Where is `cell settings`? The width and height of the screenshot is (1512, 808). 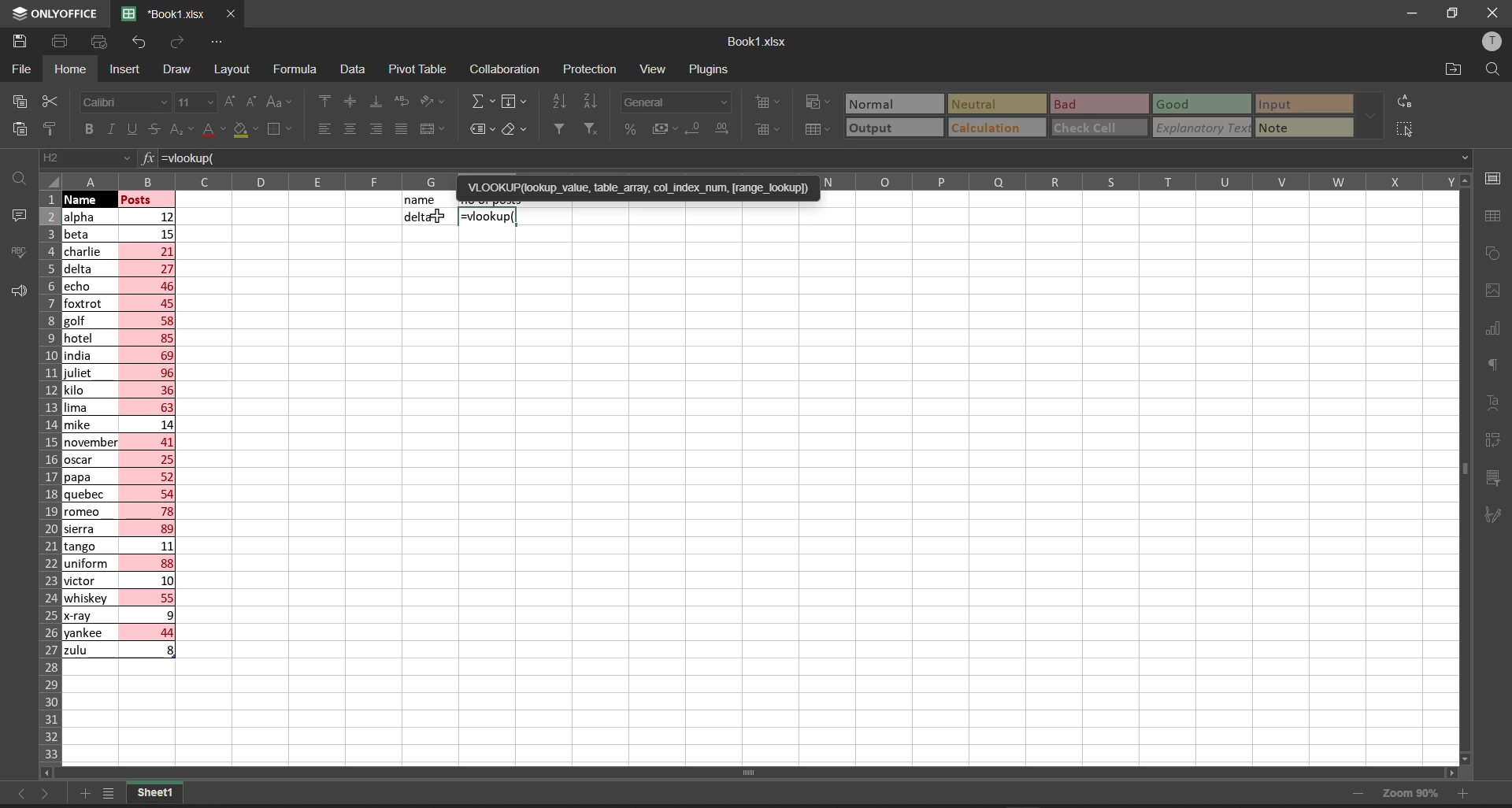
cell settings is located at coordinates (1494, 176).